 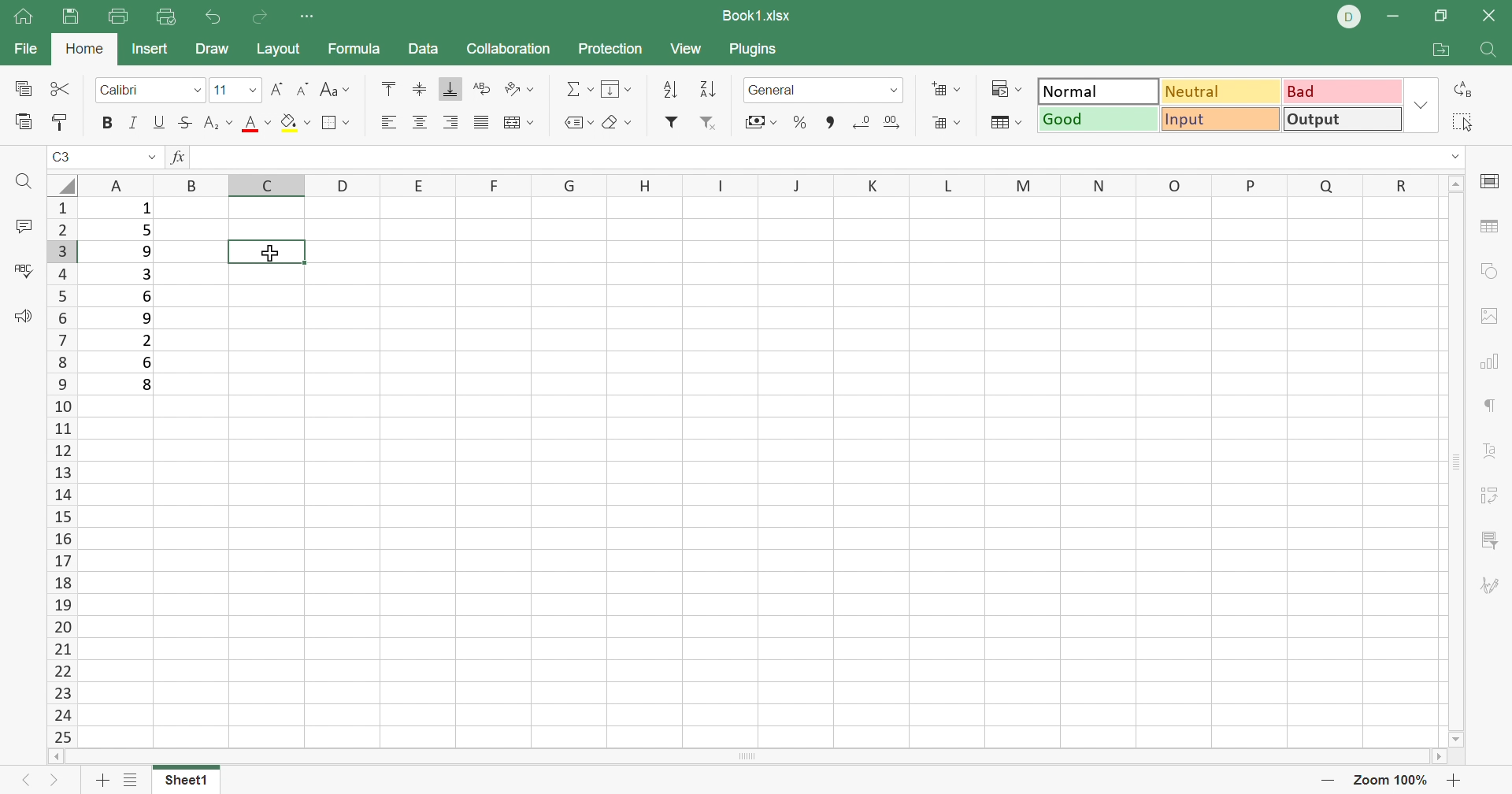 What do you see at coordinates (1492, 540) in the screenshot?
I see `Slicer settings` at bounding box center [1492, 540].